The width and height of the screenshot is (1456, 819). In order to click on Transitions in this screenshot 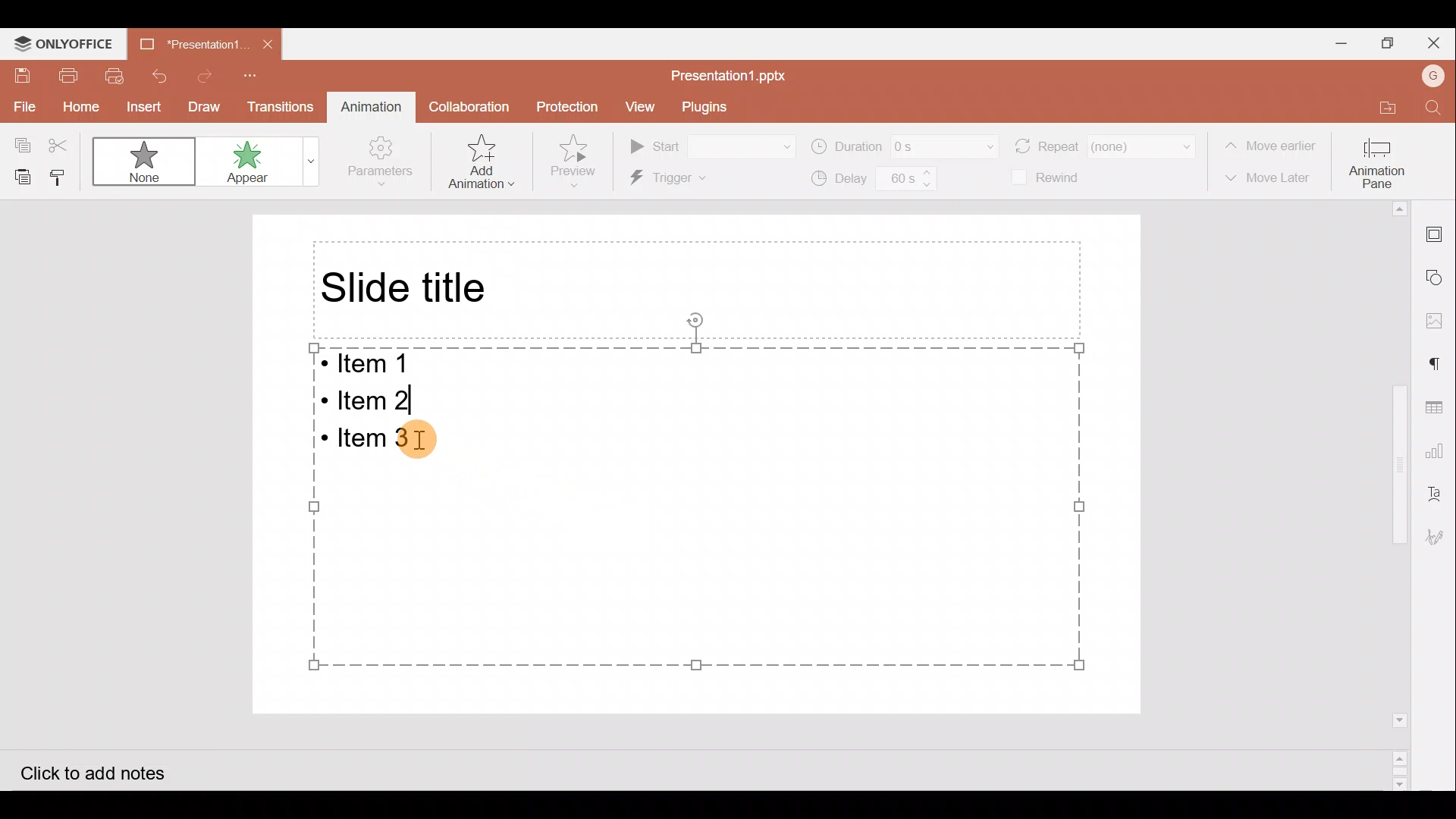, I will do `click(275, 106)`.